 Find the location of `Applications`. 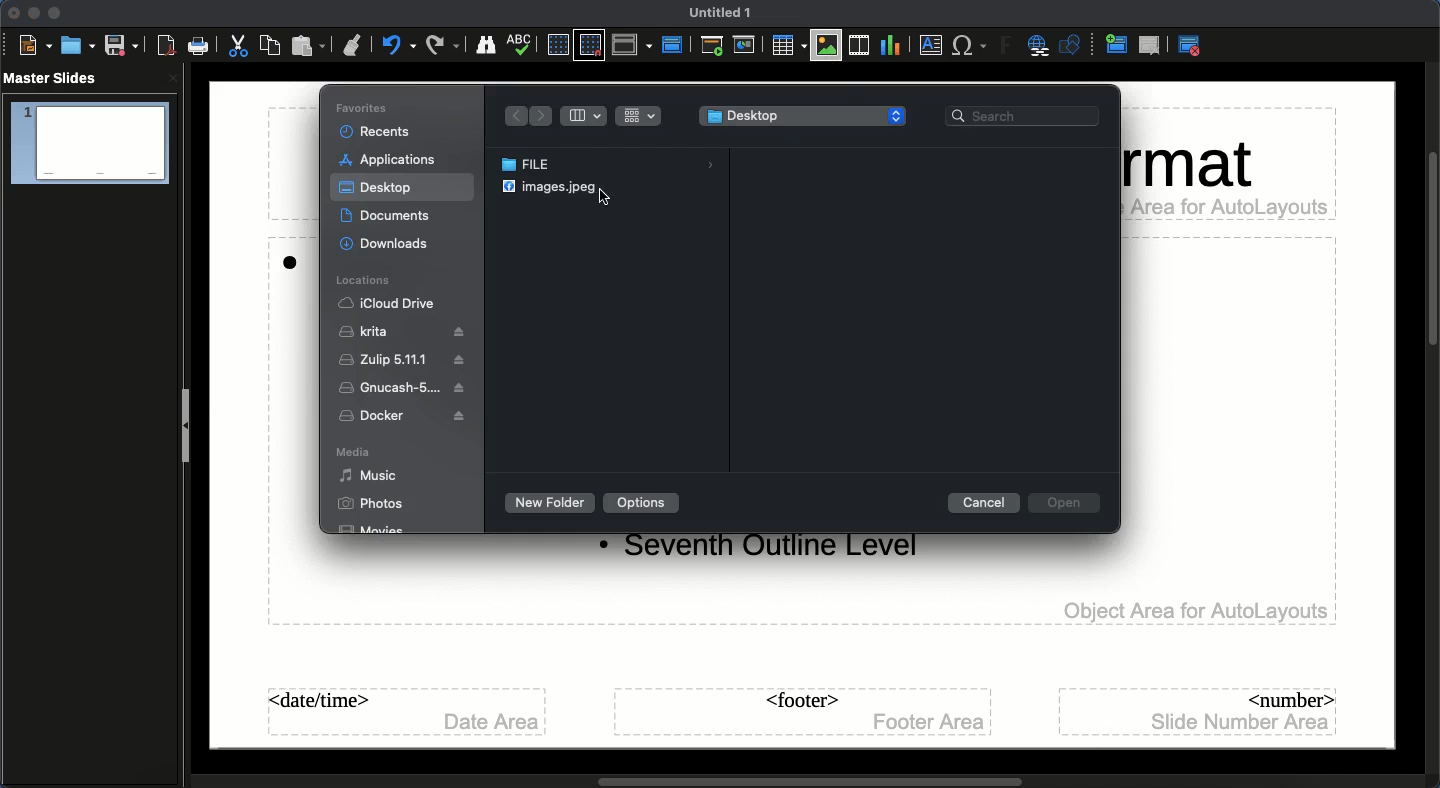

Applications is located at coordinates (390, 161).